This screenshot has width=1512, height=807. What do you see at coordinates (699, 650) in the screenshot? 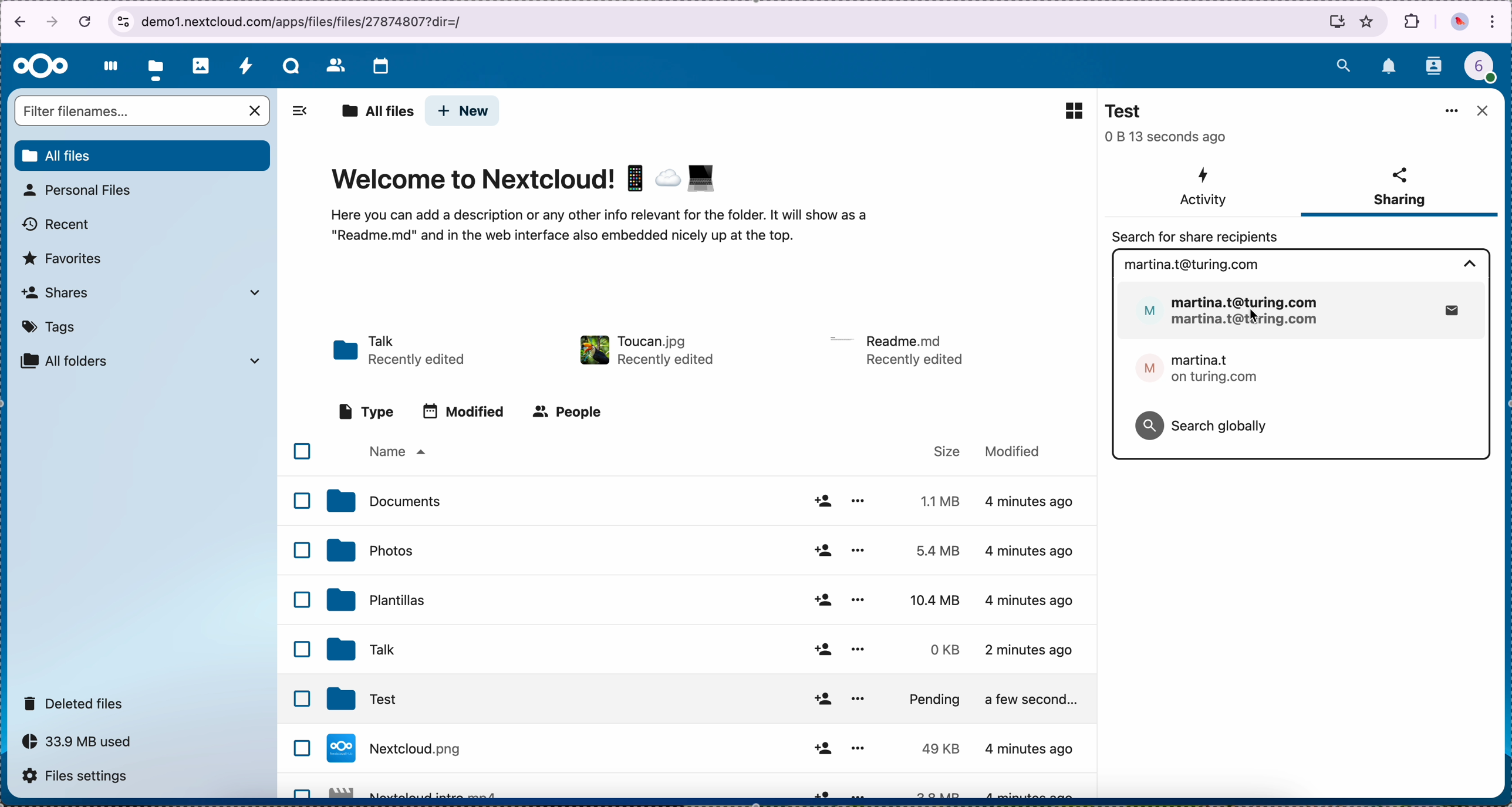
I see `Talk` at bounding box center [699, 650].